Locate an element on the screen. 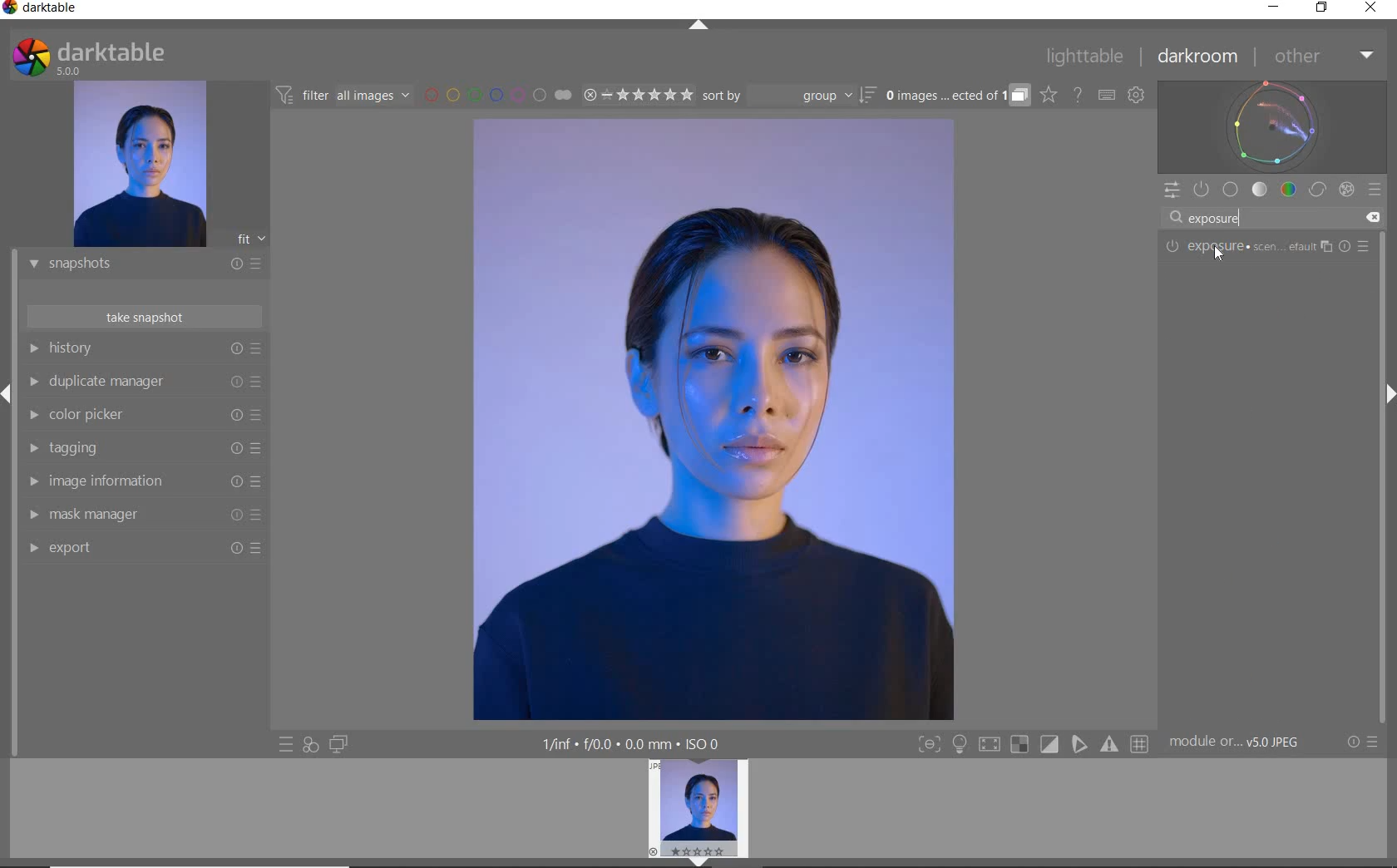 Image resolution: width=1397 pixels, height=868 pixels. QUICK ACCESS PANEL is located at coordinates (1171, 191).